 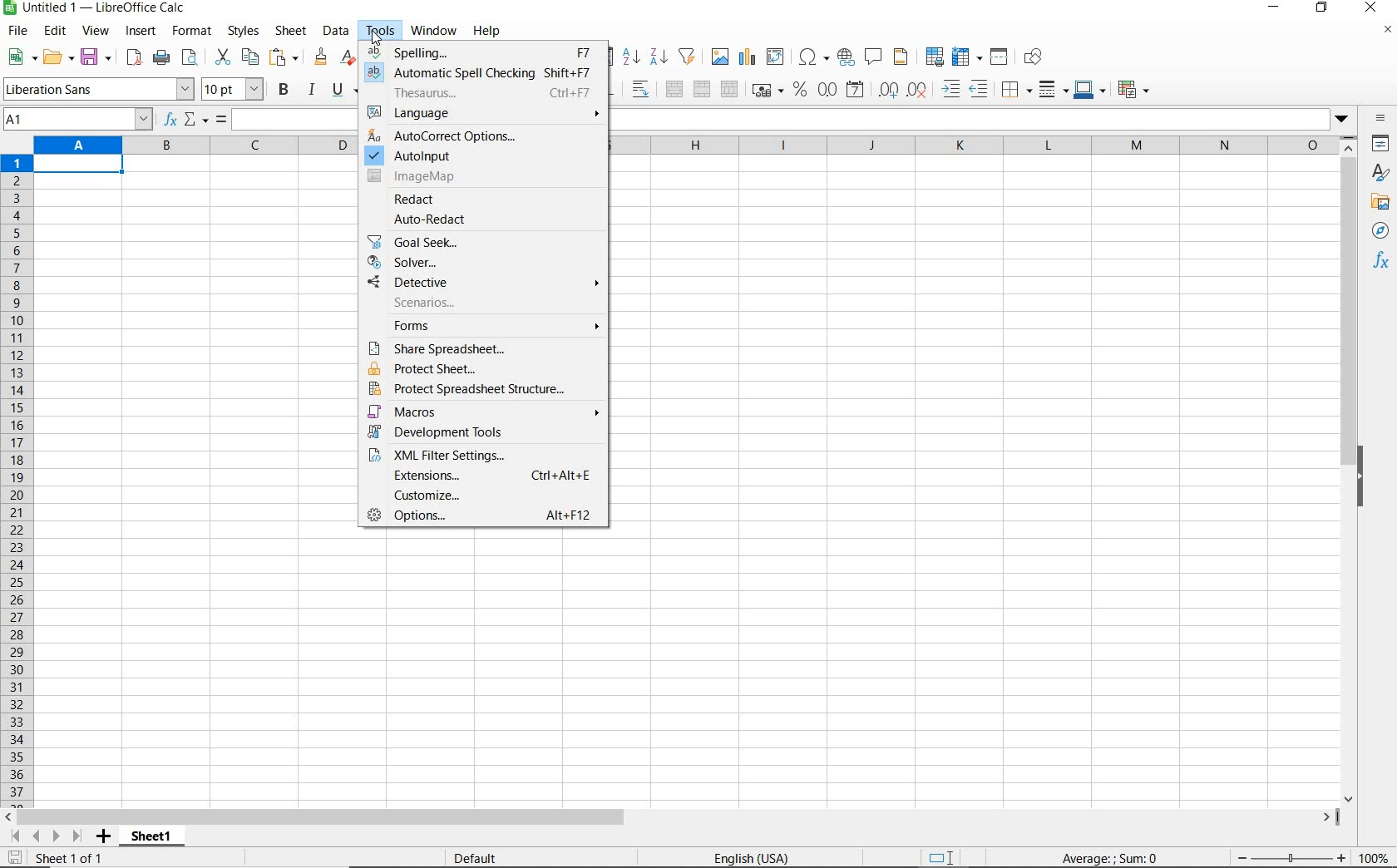 What do you see at coordinates (1091, 90) in the screenshot?
I see `border color` at bounding box center [1091, 90].